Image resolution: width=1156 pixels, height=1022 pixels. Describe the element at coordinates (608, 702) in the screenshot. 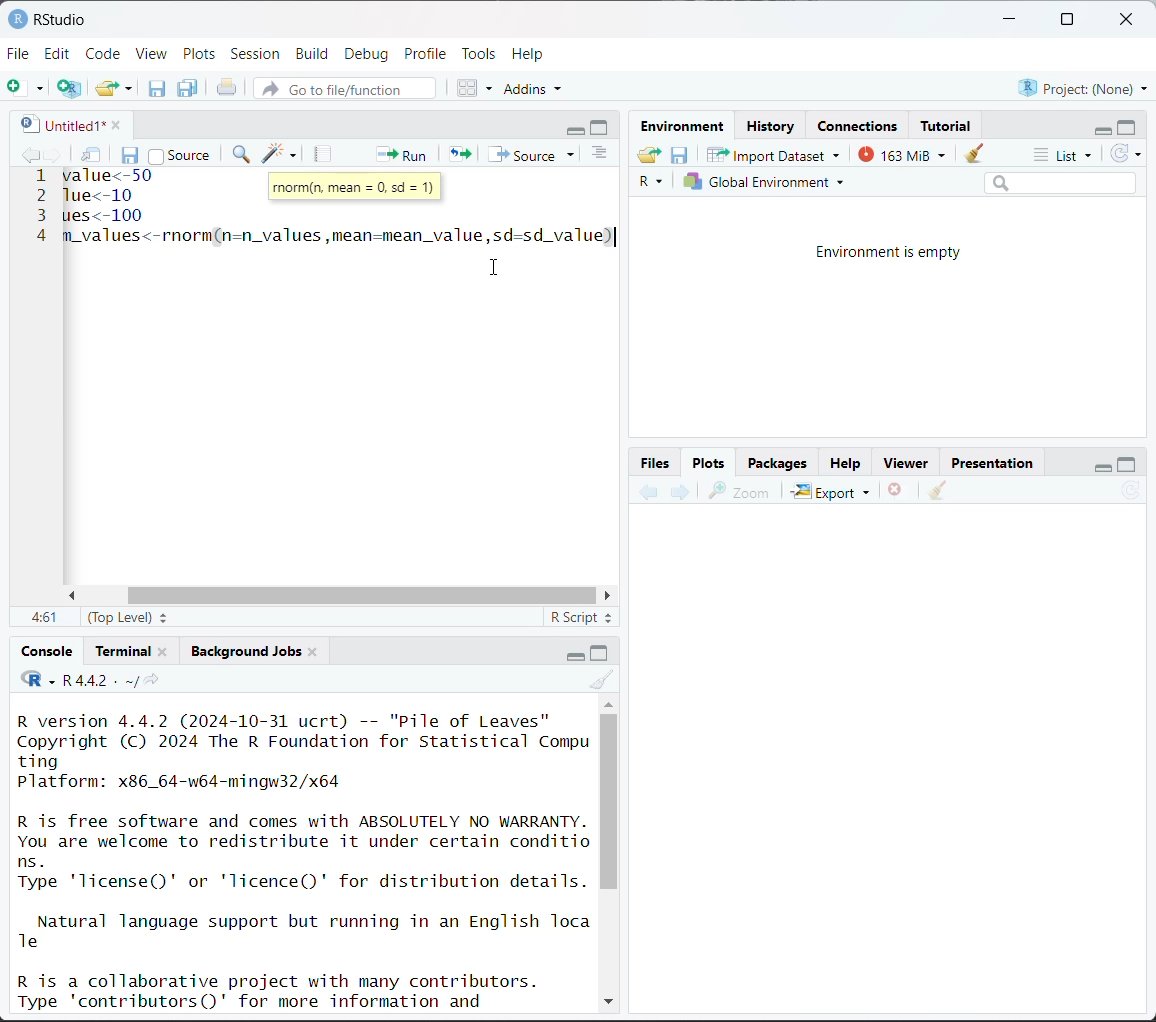

I see `up` at that location.